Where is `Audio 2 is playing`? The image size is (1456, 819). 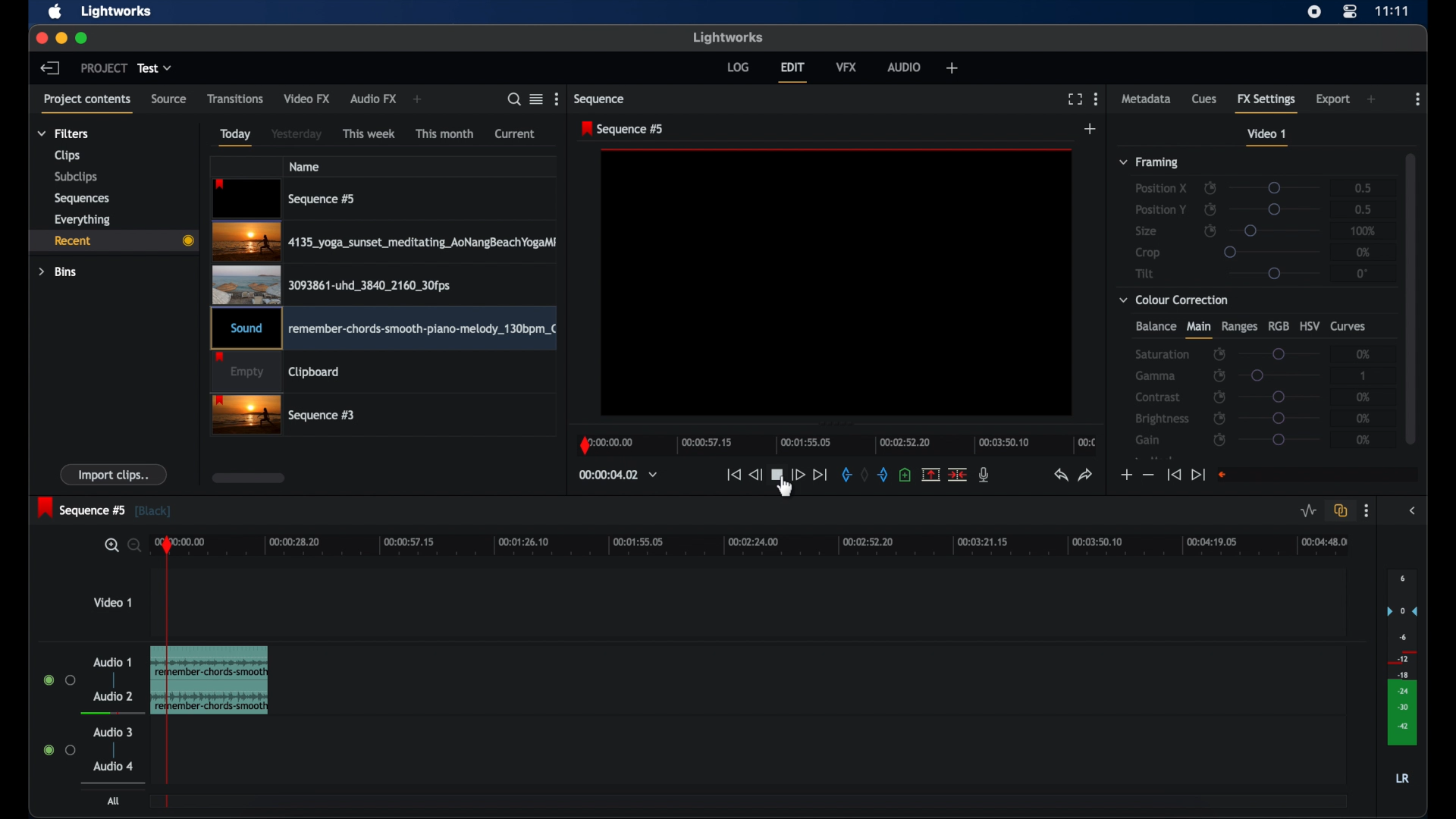 Audio 2 is playing is located at coordinates (108, 713).